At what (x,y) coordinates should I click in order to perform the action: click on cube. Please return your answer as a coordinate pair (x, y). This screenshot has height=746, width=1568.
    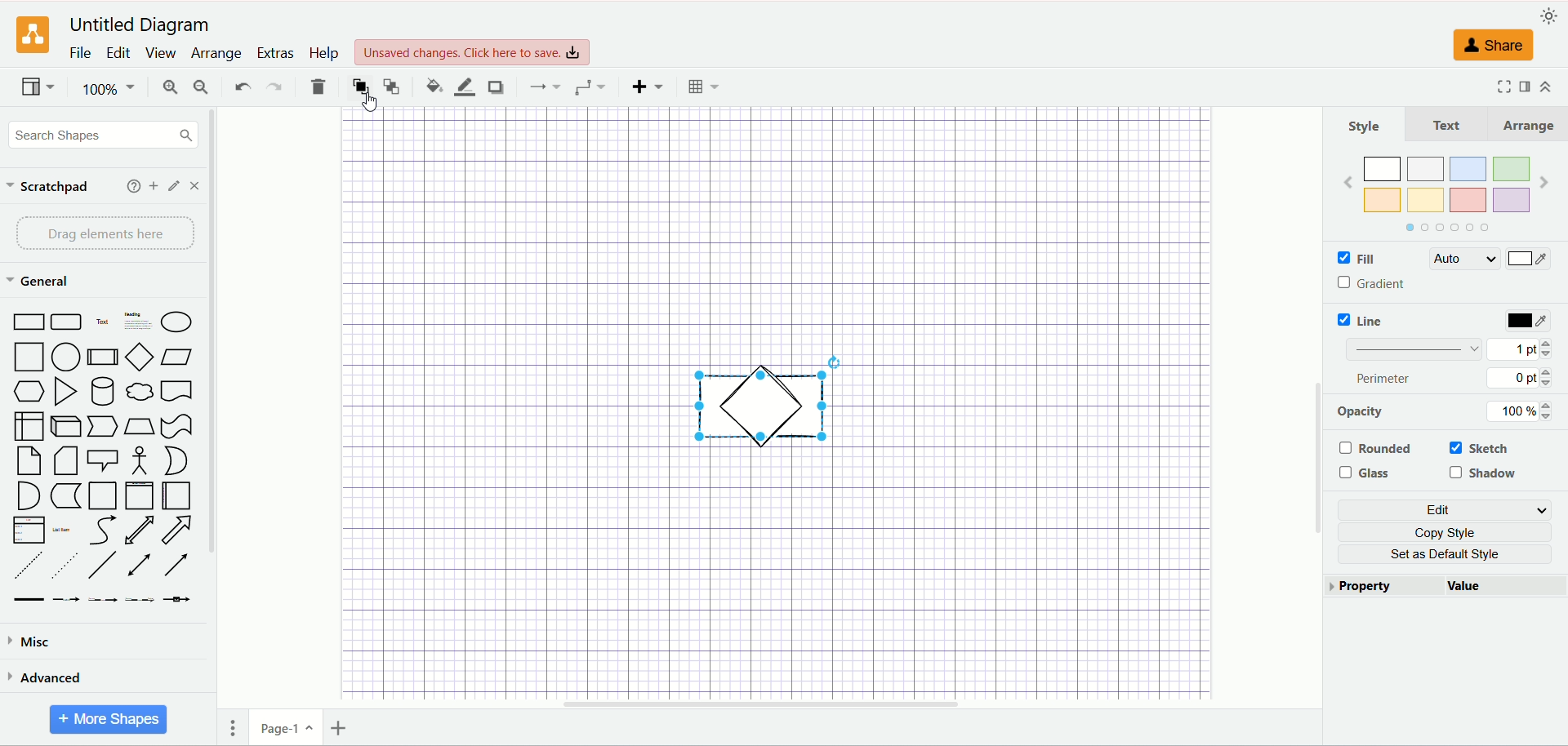
    Looking at the image, I should click on (65, 425).